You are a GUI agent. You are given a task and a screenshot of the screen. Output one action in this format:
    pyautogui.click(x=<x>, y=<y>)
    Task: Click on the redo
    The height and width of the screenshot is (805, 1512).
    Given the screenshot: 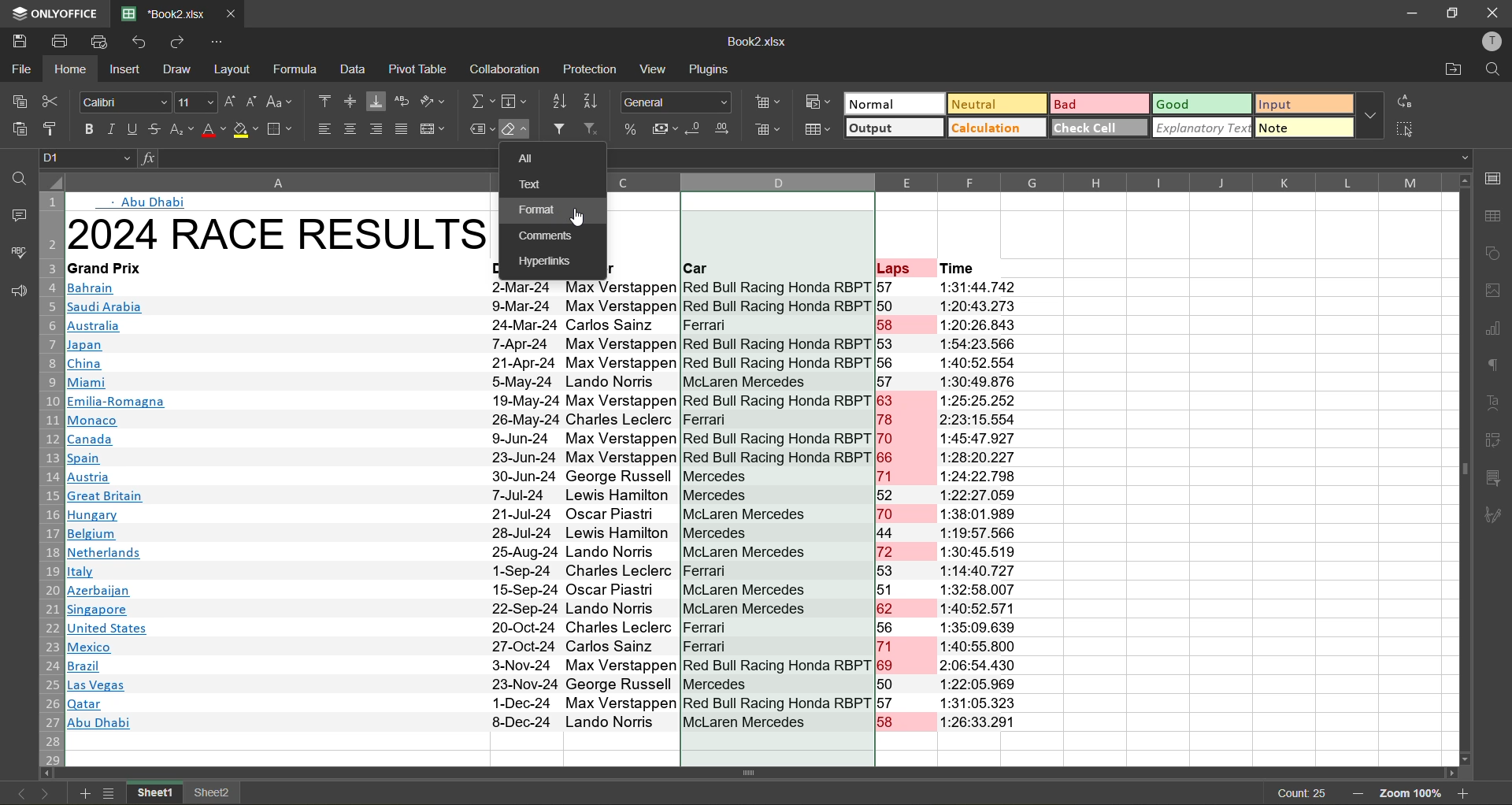 What is the action you would take?
    pyautogui.click(x=180, y=42)
    